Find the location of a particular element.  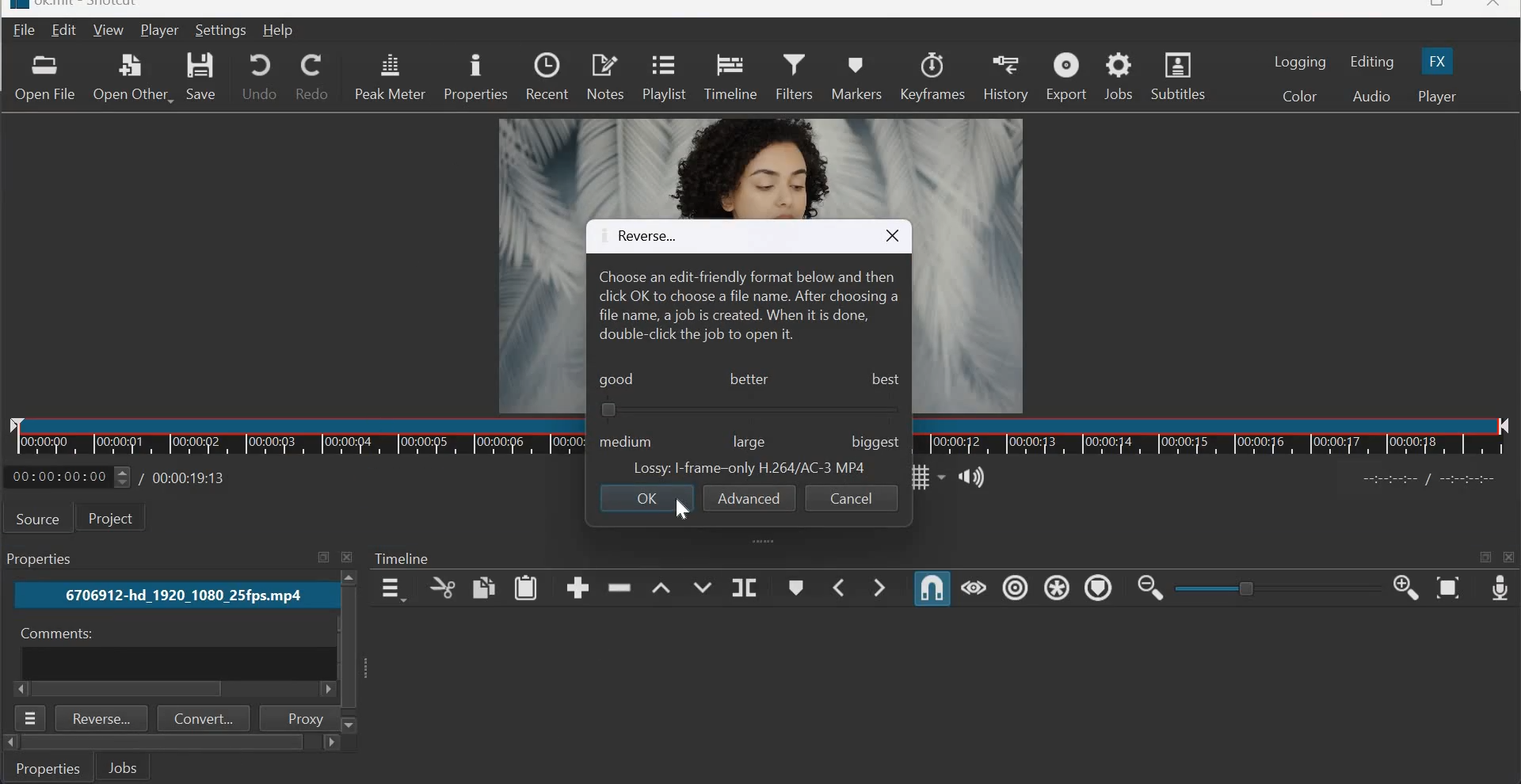

button is located at coordinates (608, 410).